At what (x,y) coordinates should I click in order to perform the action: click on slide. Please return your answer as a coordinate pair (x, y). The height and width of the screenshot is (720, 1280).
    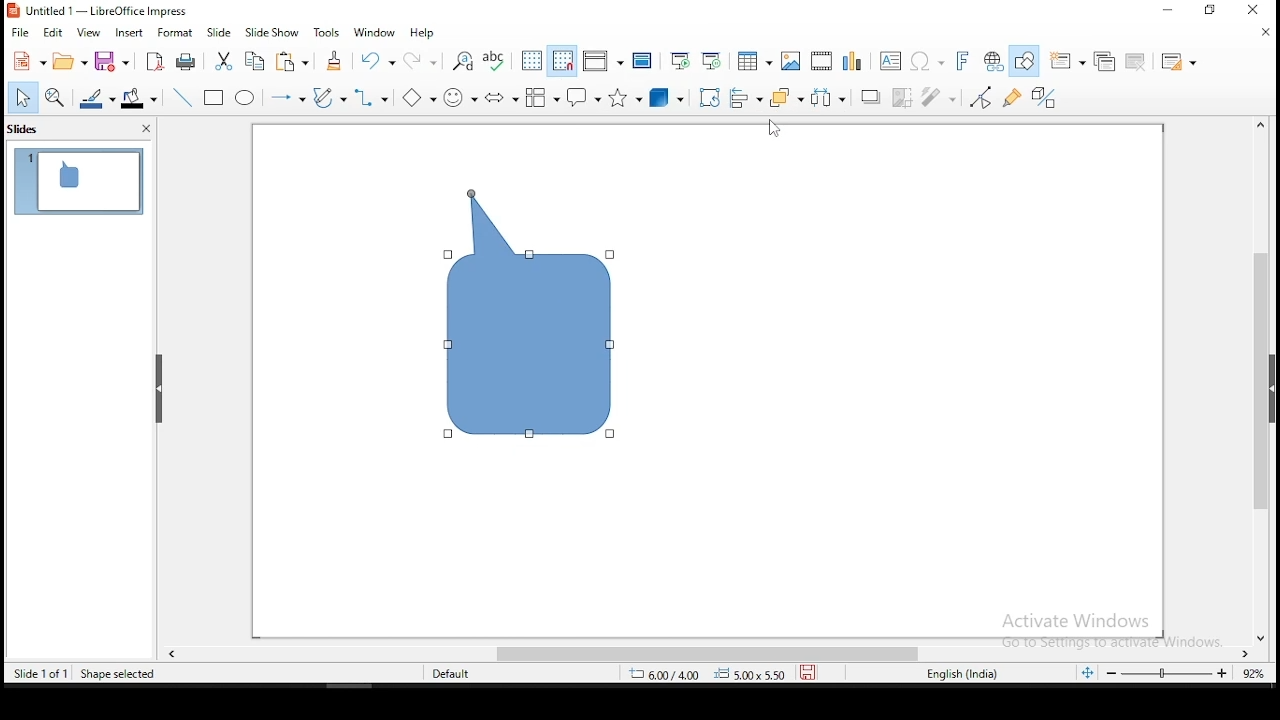
    Looking at the image, I should click on (220, 32).